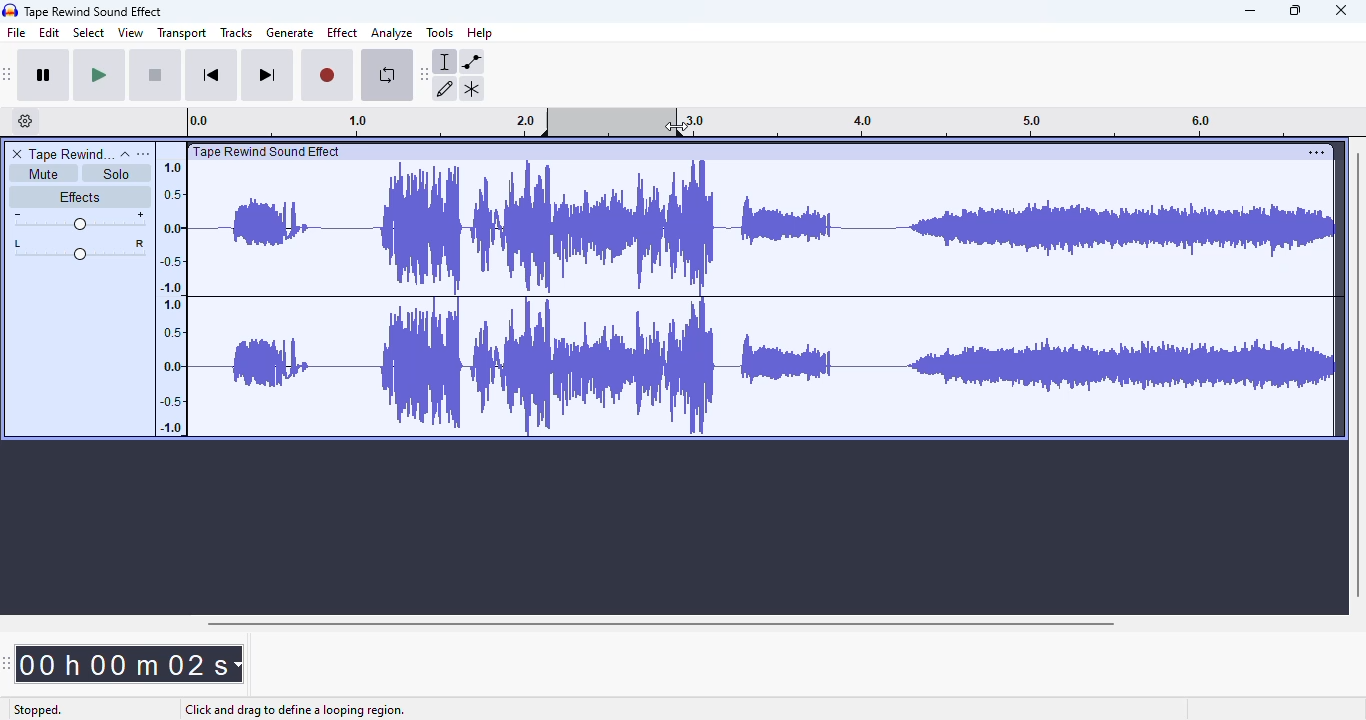 This screenshot has width=1366, height=720. What do you see at coordinates (472, 62) in the screenshot?
I see `envelope tool` at bounding box center [472, 62].